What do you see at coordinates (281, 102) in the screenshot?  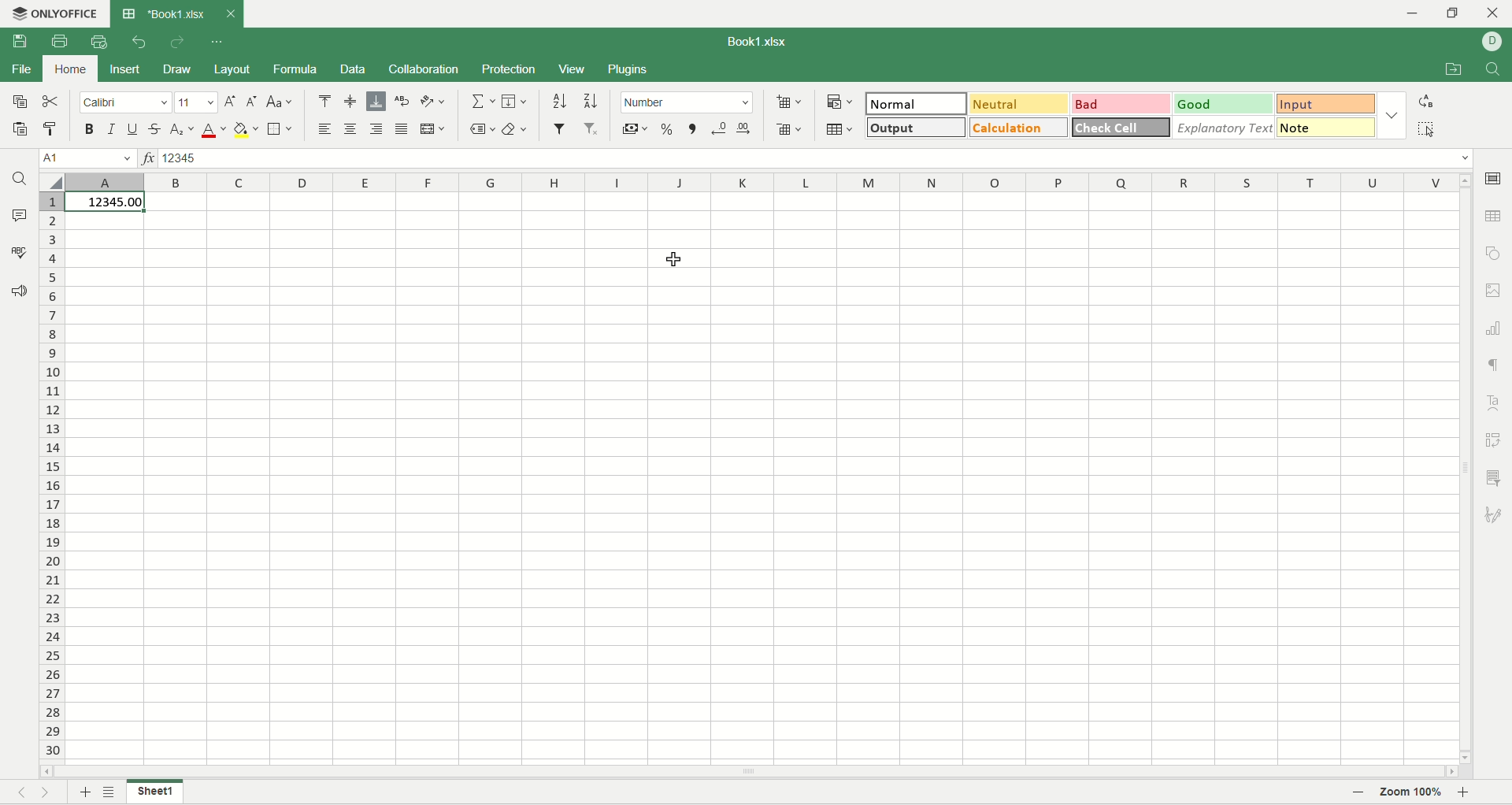 I see `change case` at bounding box center [281, 102].